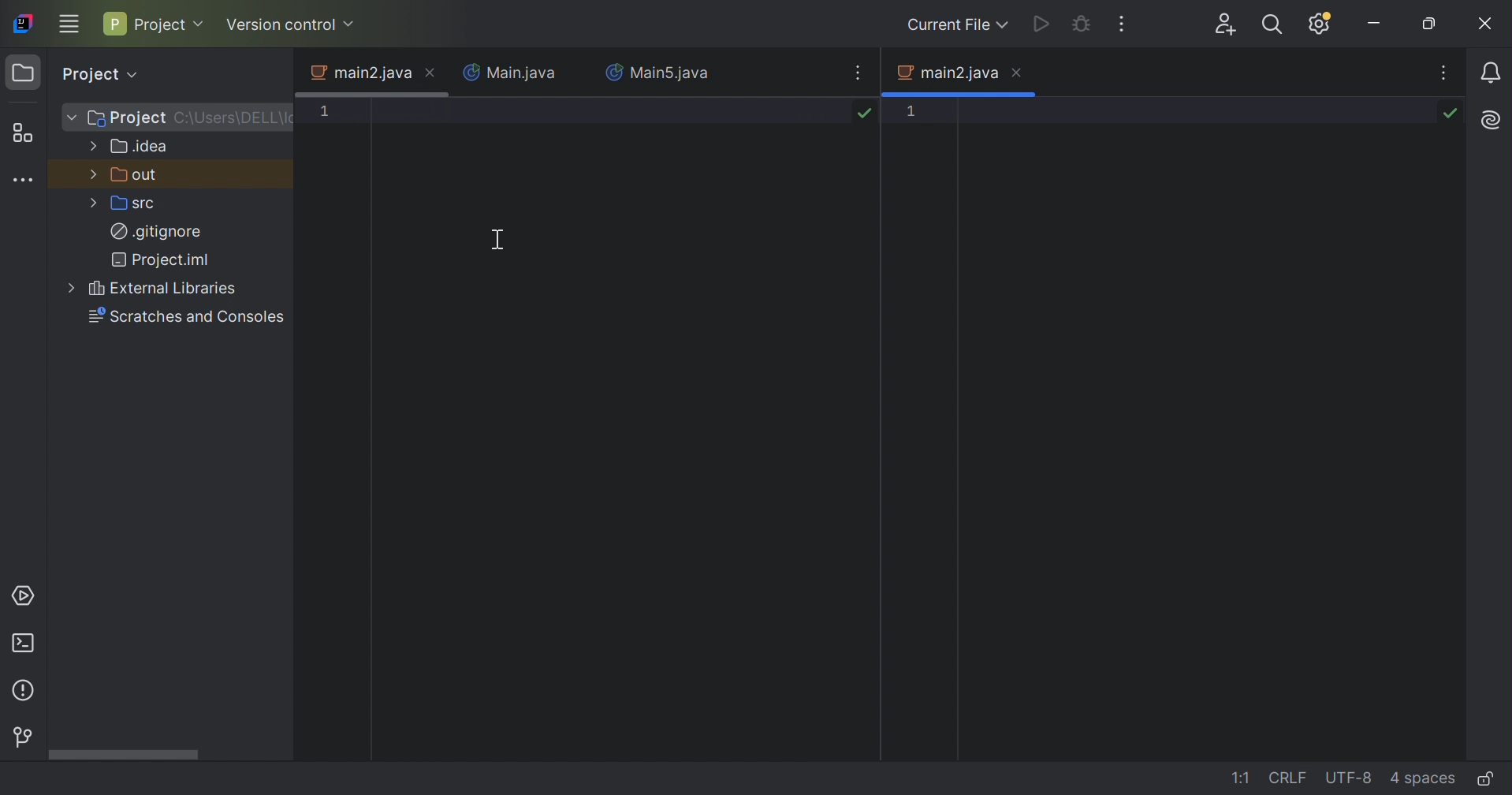 Image resolution: width=1512 pixels, height=795 pixels. What do you see at coordinates (190, 321) in the screenshot?
I see `Searches and consoles` at bounding box center [190, 321].